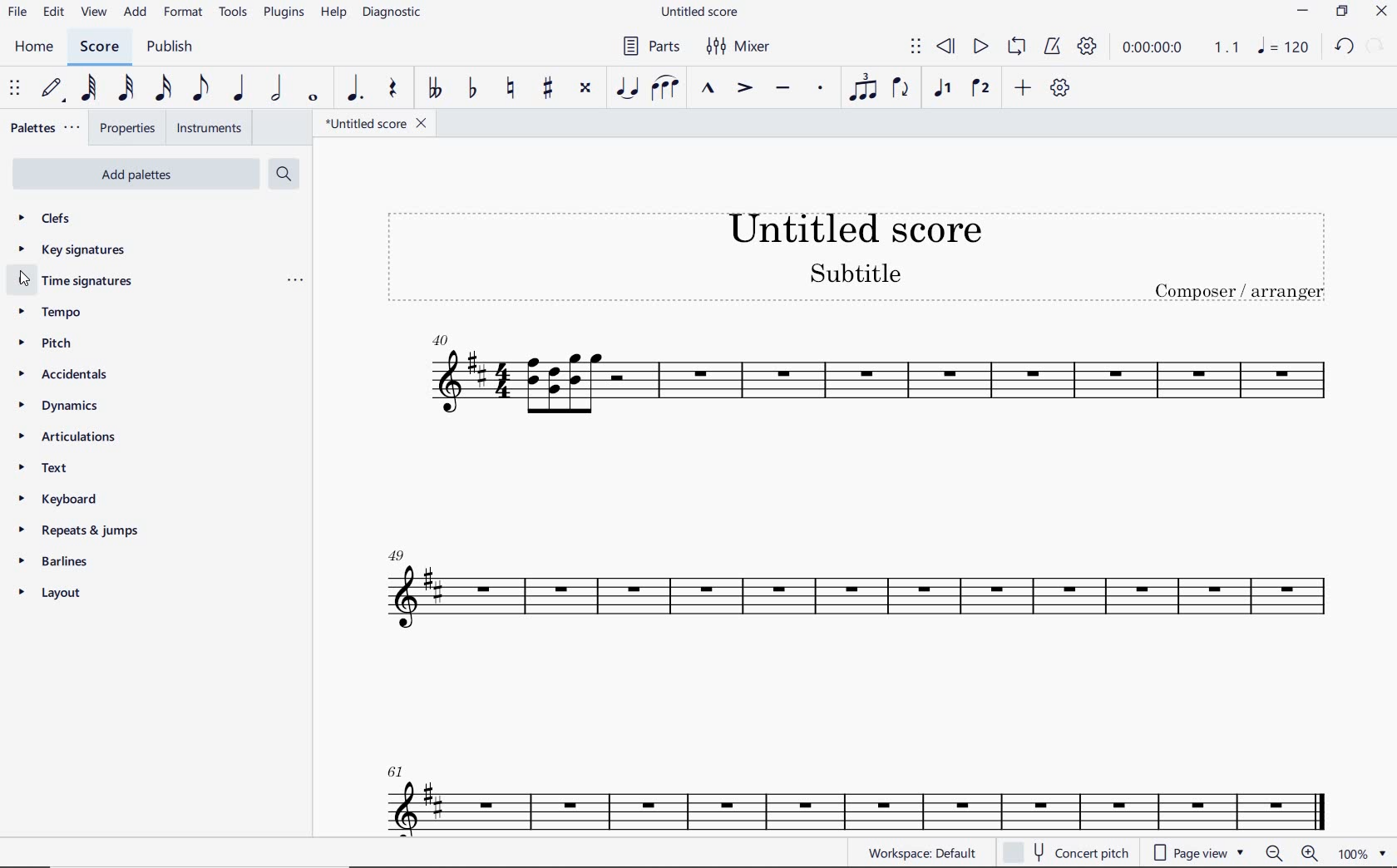 This screenshot has width=1397, height=868. I want to click on FILE NAME, so click(376, 123).